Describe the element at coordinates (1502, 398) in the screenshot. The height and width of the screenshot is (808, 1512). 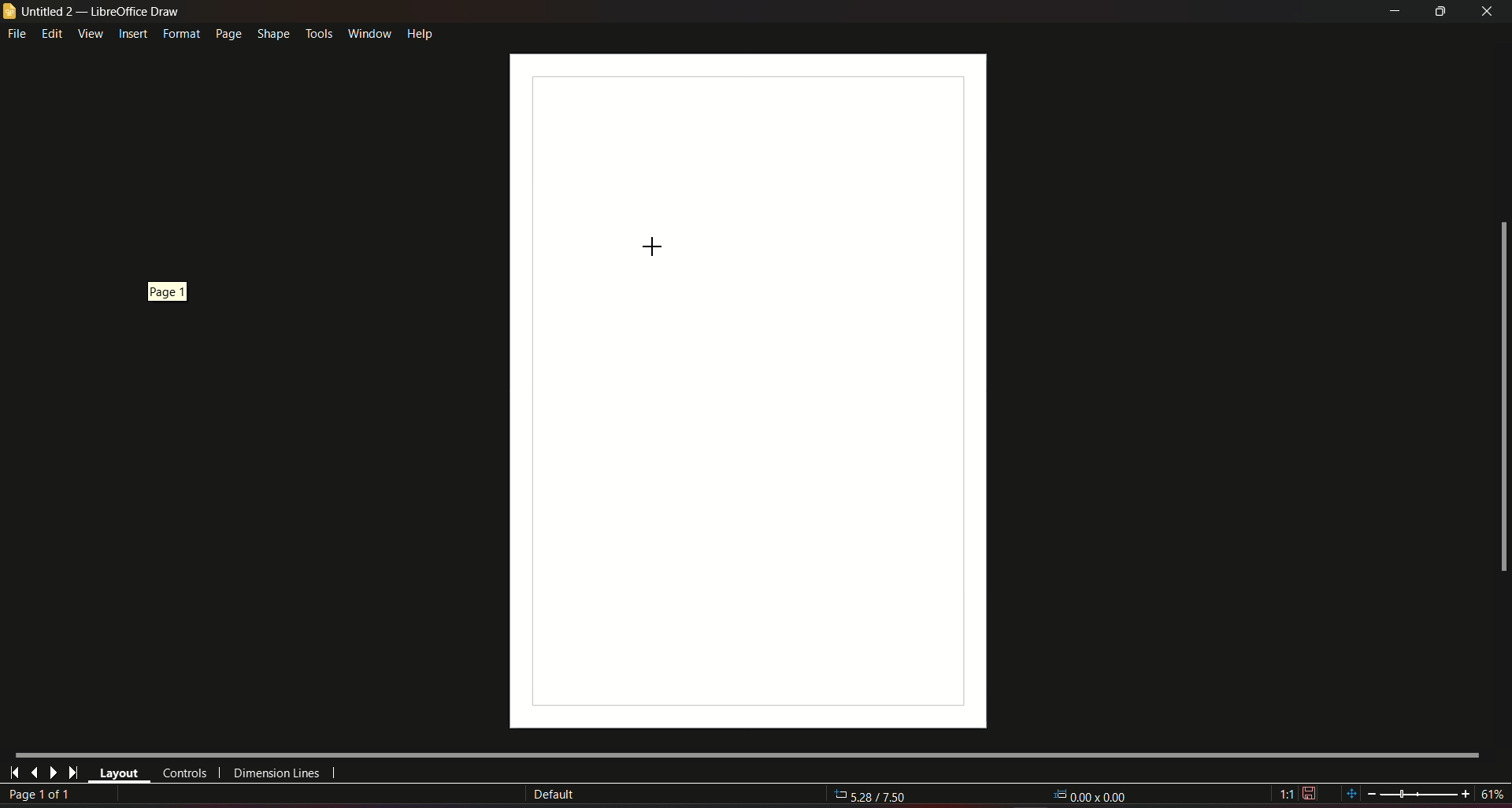
I see `scrollbar` at that location.